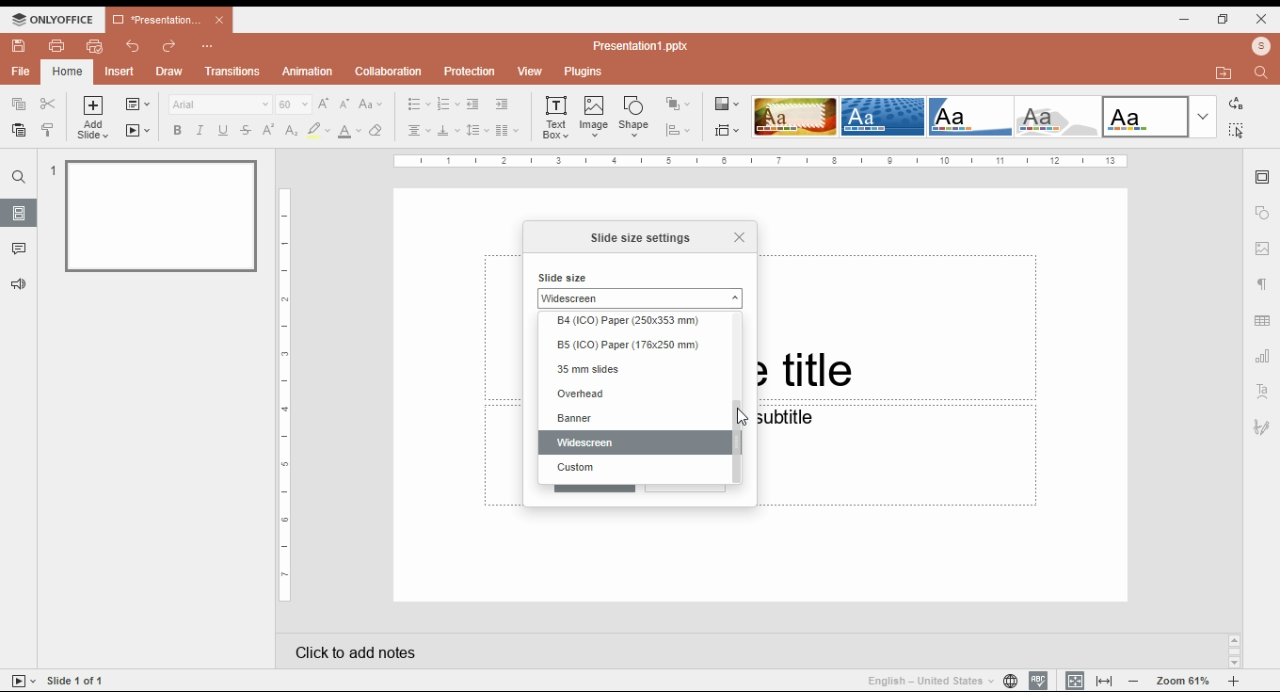 This screenshot has height=692, width=1280. I want to click on ONLYOFFICE, so click(53, 19).